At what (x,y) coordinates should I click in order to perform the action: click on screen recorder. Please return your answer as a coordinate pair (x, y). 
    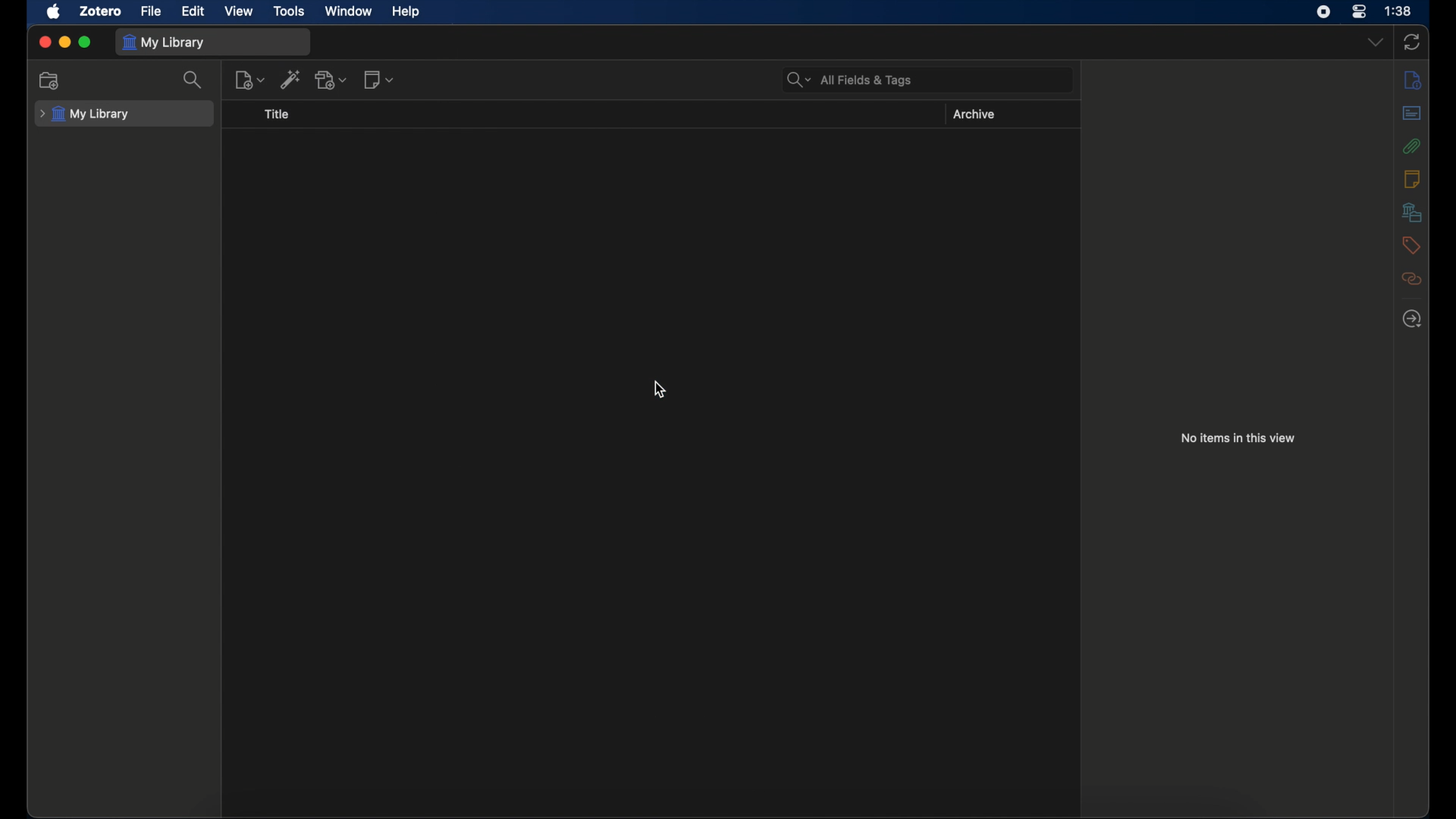
    Looking at the image, I should click on (1323, 12).